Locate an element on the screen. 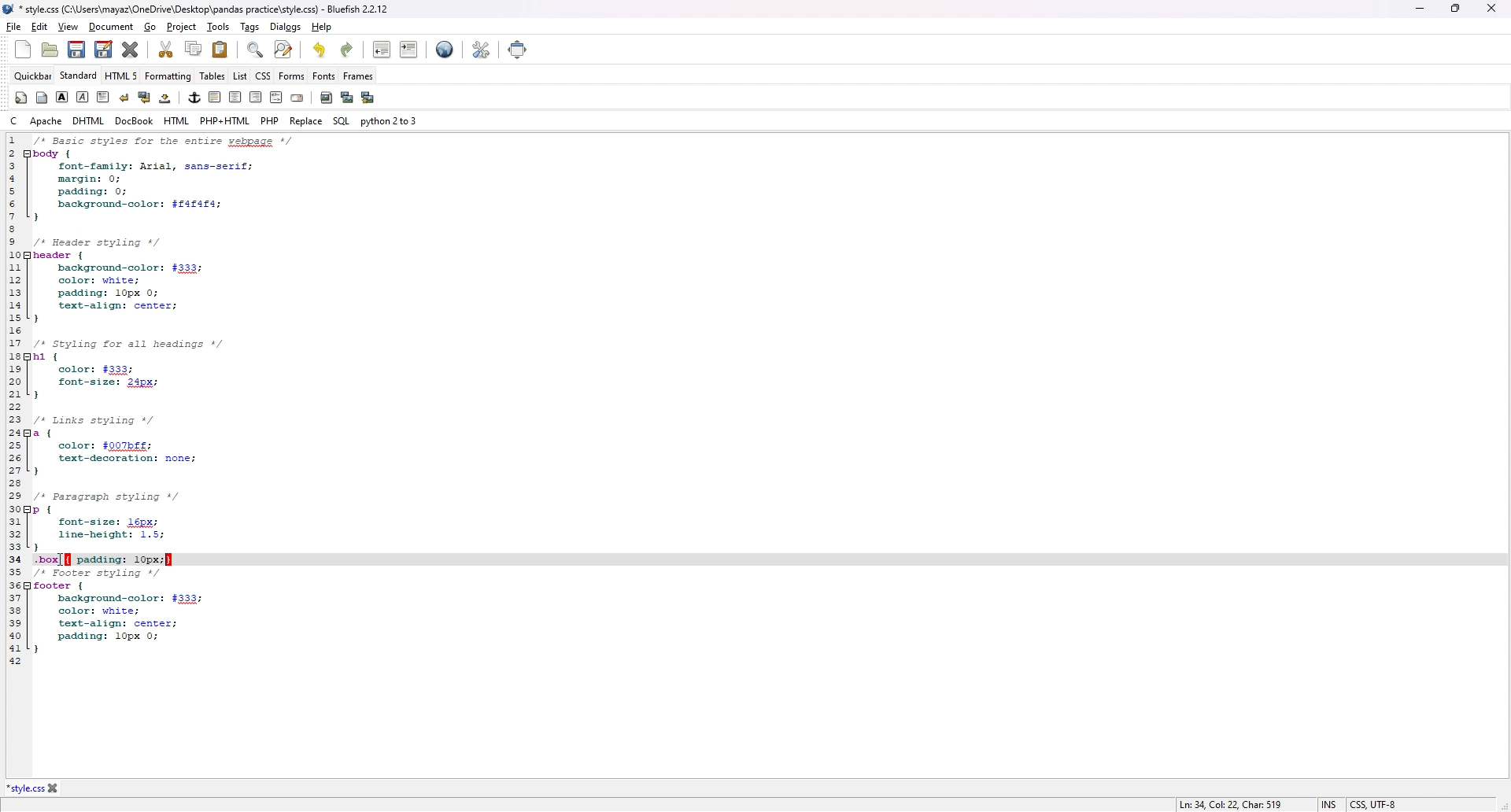 The image size is (1511, 812). multi thumbnail is located at coordinates (368, 98).